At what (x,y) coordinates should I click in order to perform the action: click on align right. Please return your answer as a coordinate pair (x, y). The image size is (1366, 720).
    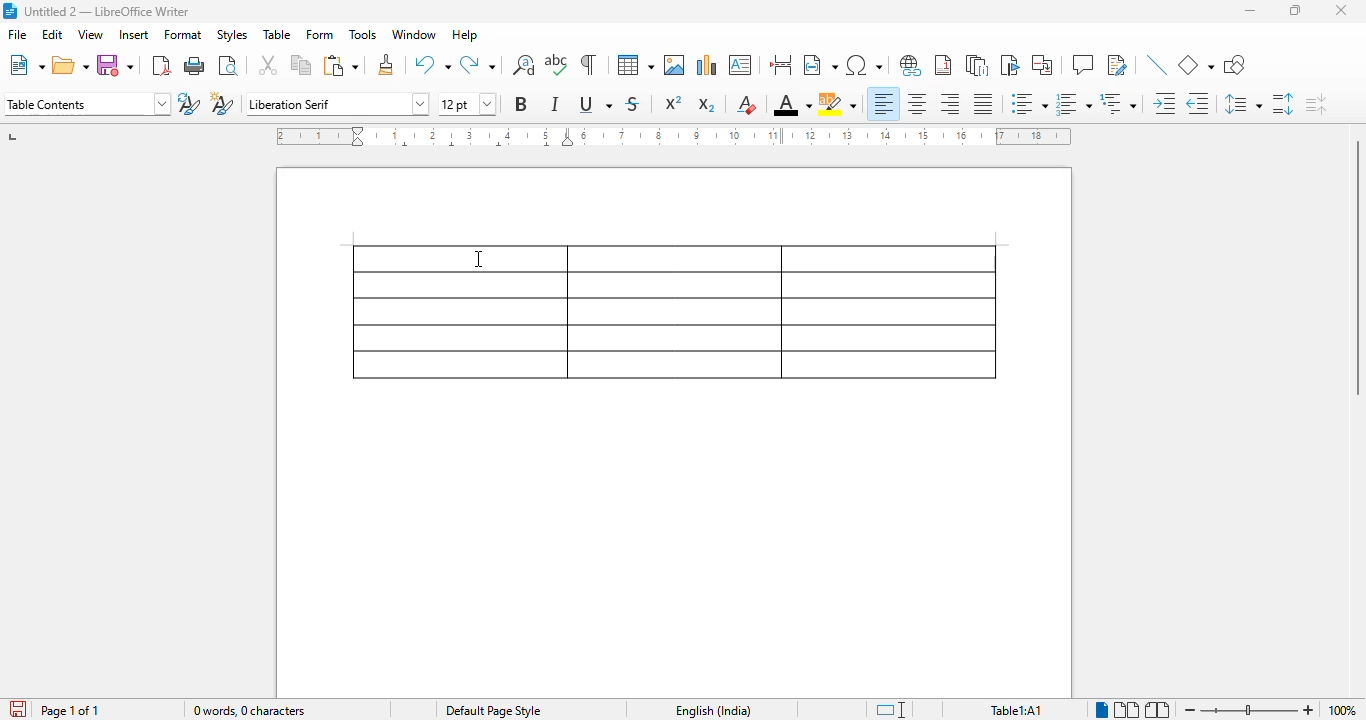
    Looking at the image, I should click on (949, 104).